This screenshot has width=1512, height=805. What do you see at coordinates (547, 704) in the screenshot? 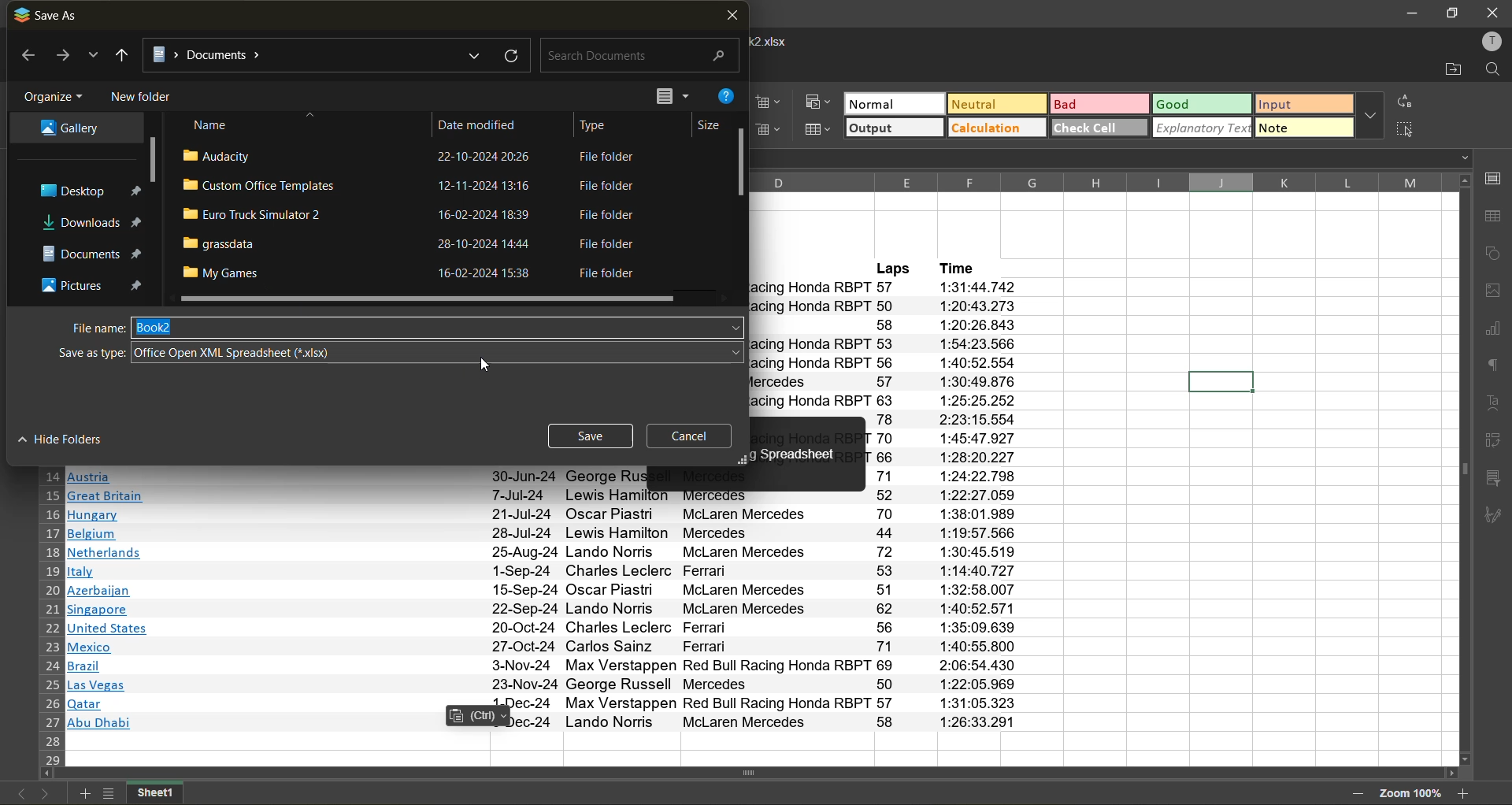
I see `text info` at bounding box center [547, 704].